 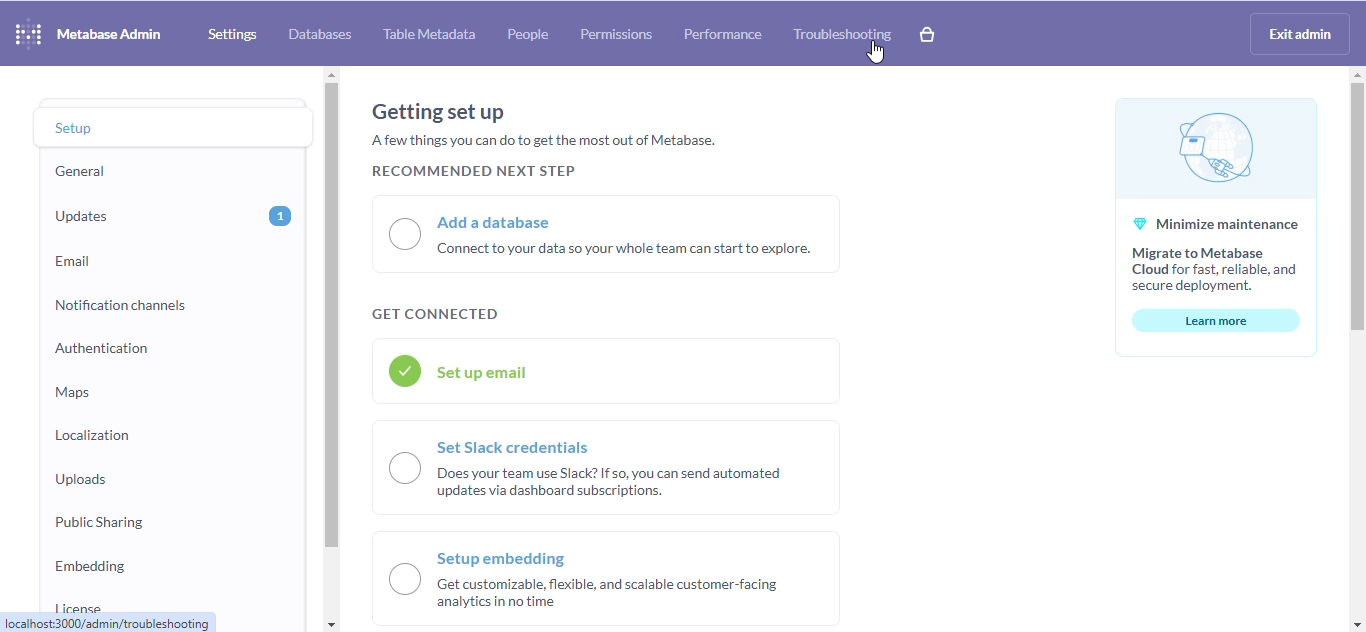 I want to click on maps, so click(x=73, y=391).